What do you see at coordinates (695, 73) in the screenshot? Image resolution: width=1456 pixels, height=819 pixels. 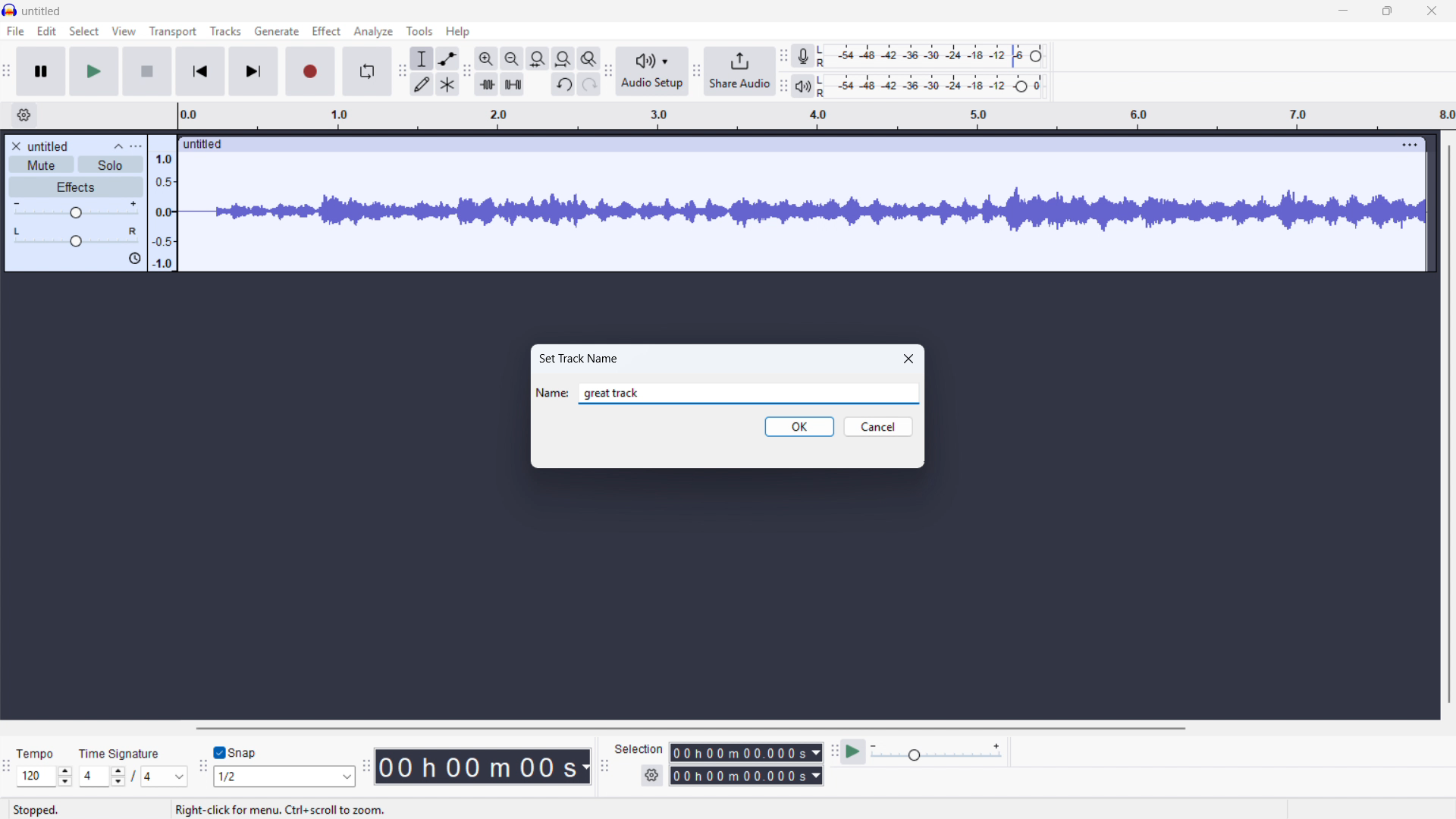 I see `Share audio toolbar ` at bounding box center [695, 73].